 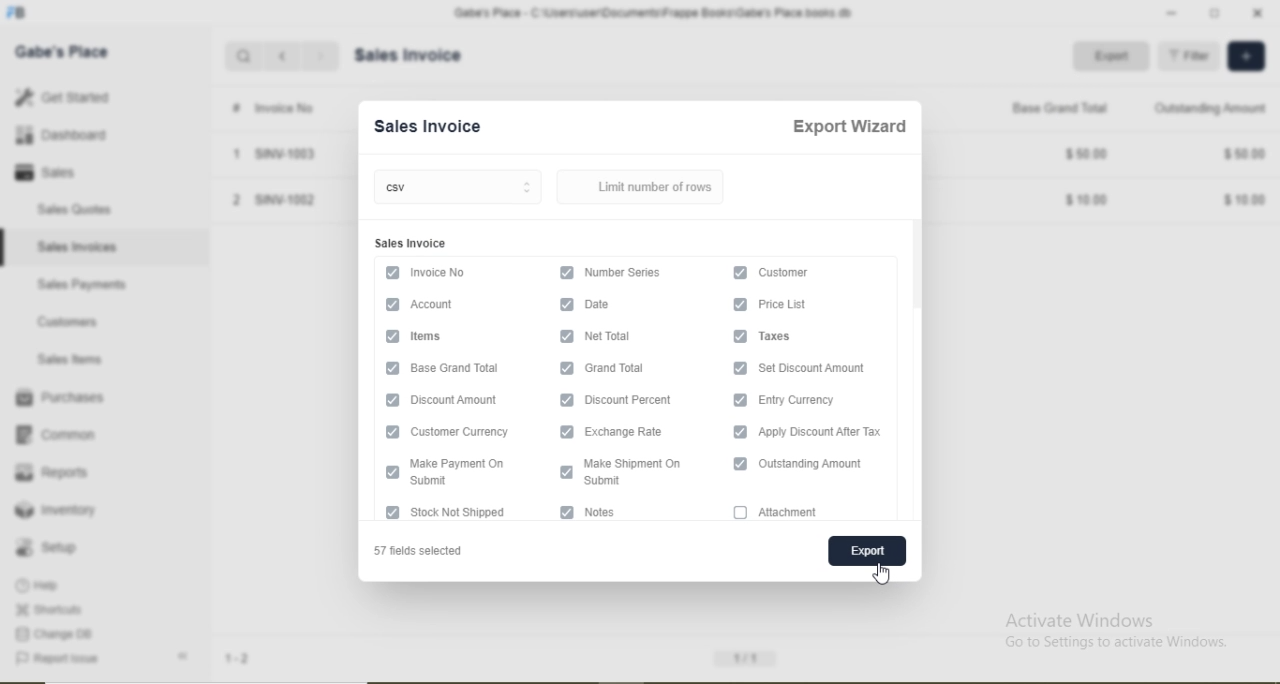 I want to click on checkbox, so click(x=391, y=367).